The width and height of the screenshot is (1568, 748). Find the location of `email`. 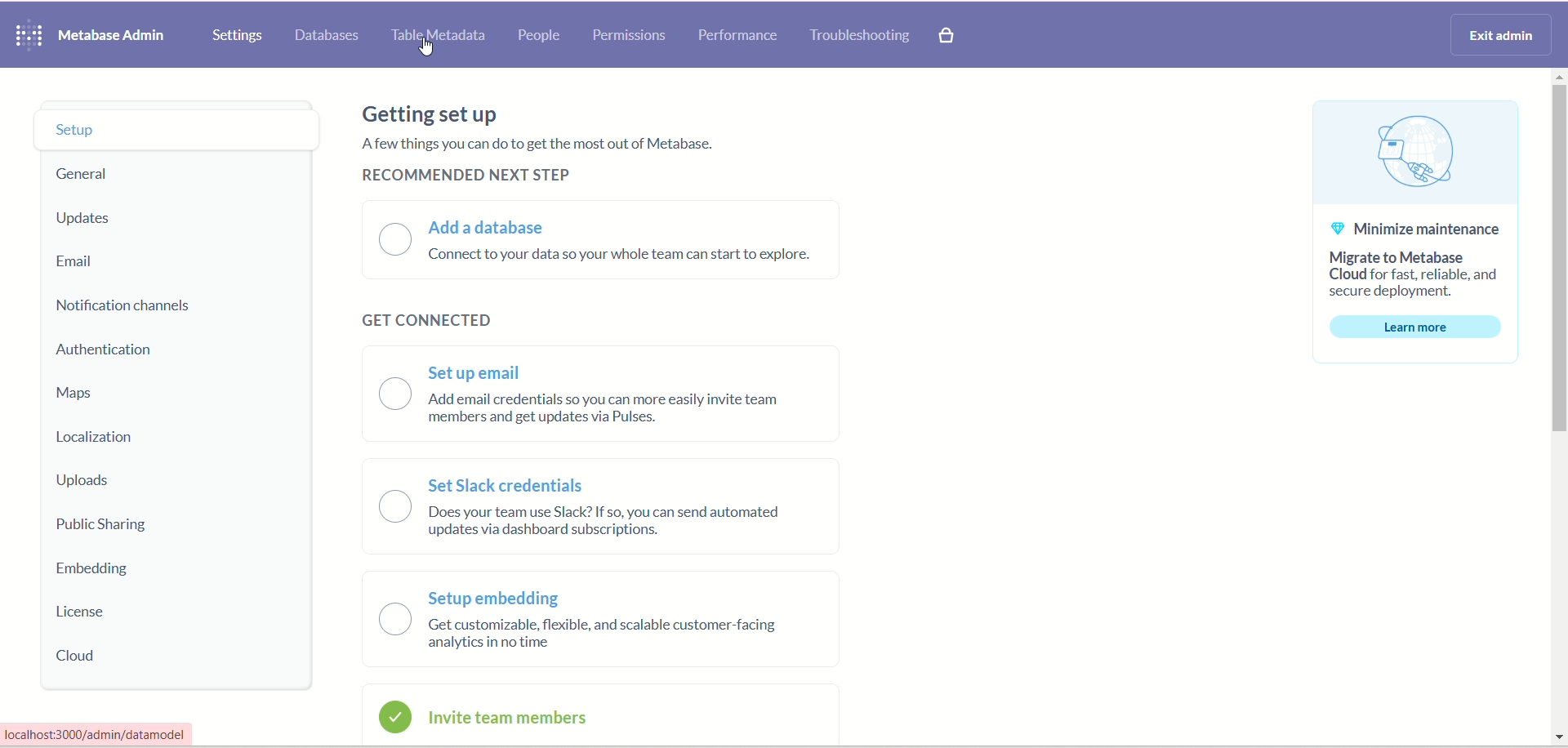

email is located at coordinates (82, 262).